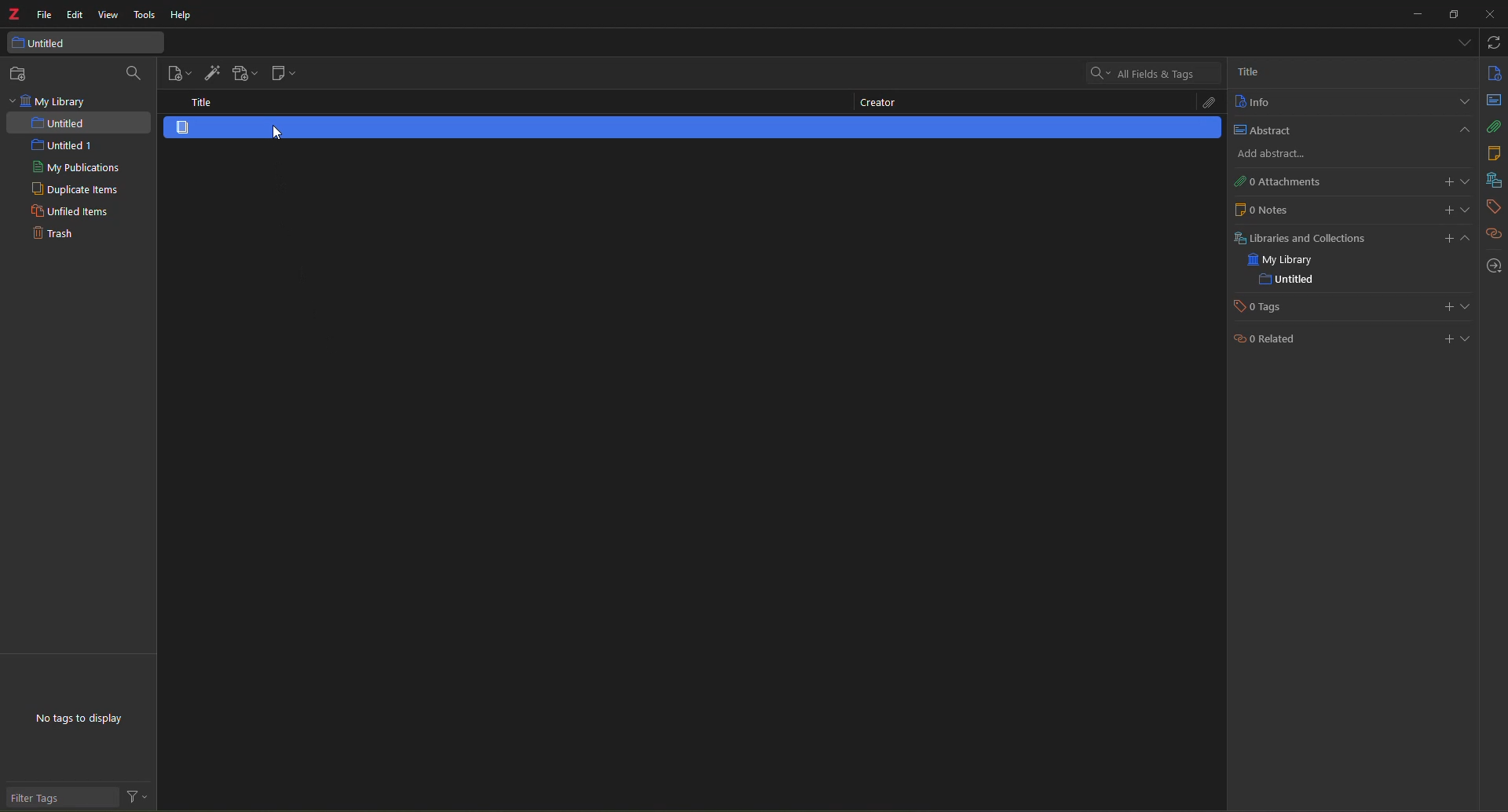 The image size is (1508, 812). Describe the element at coordinates (1454, 15) in the screenshot. I see `maximize` at that location.